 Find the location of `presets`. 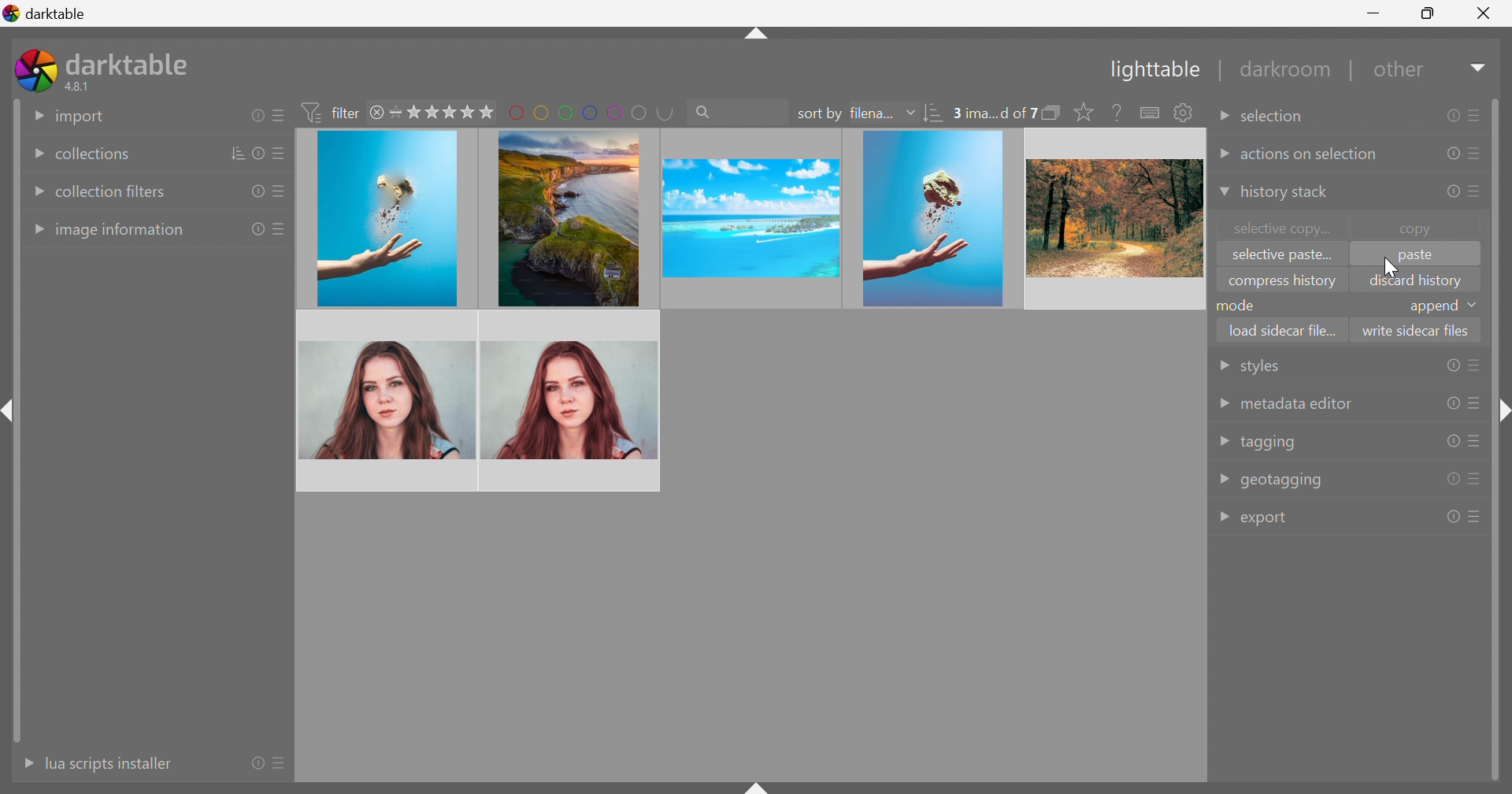

presets is located at coordinates (278, 116).